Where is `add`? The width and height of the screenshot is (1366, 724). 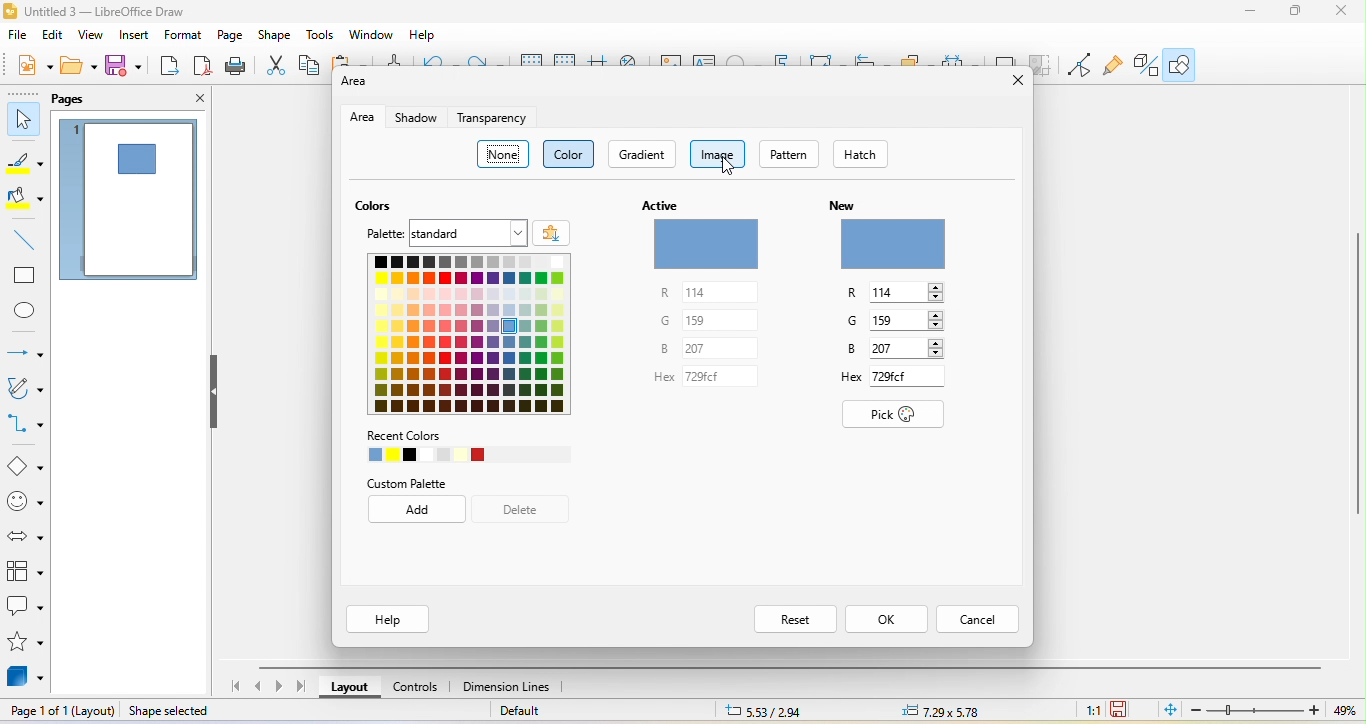 add is located at coordinates (419, 510).